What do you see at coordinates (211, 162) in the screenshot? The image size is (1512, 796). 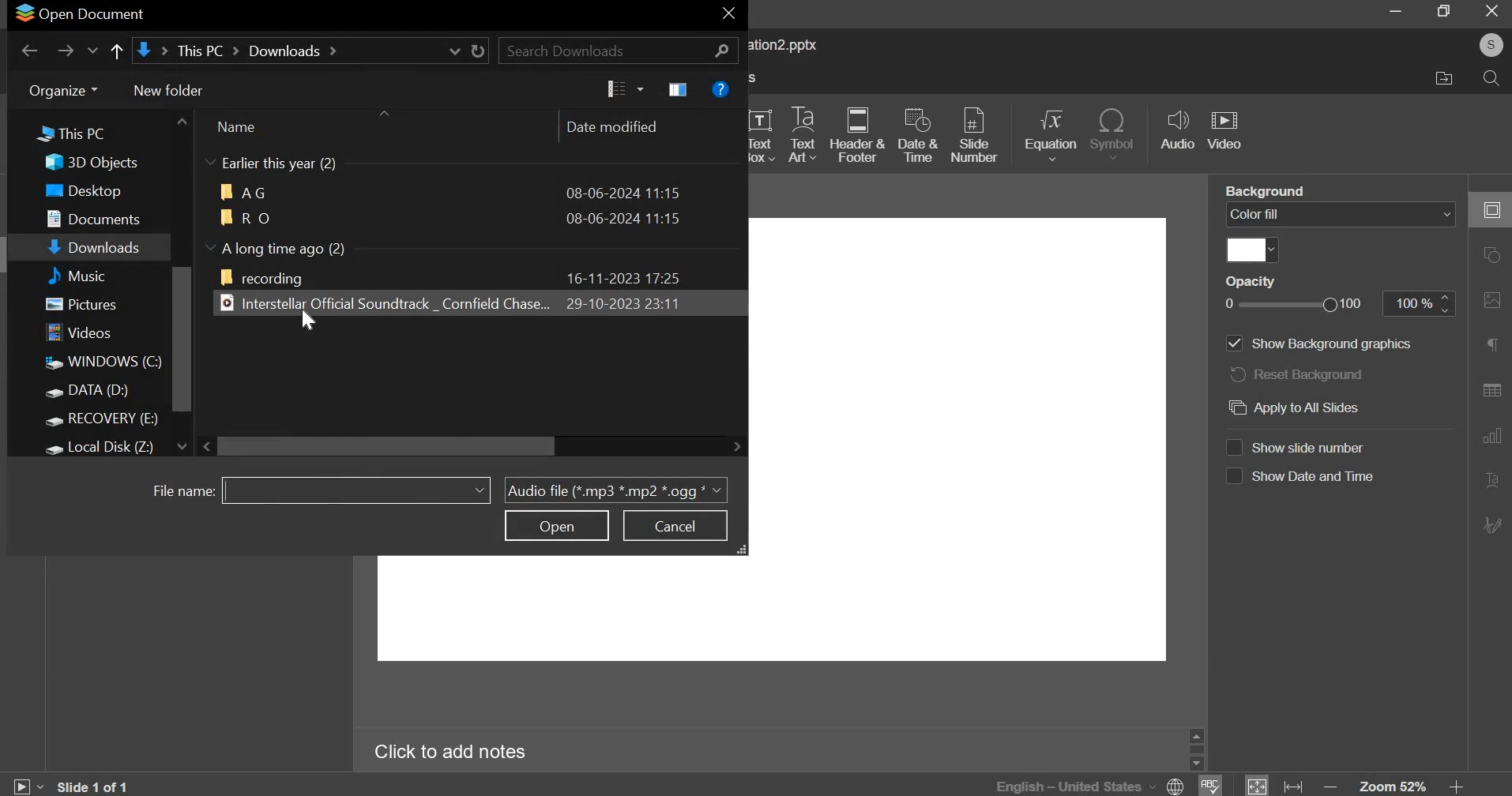 I see `show/hide` at bounding box center [211, 162].